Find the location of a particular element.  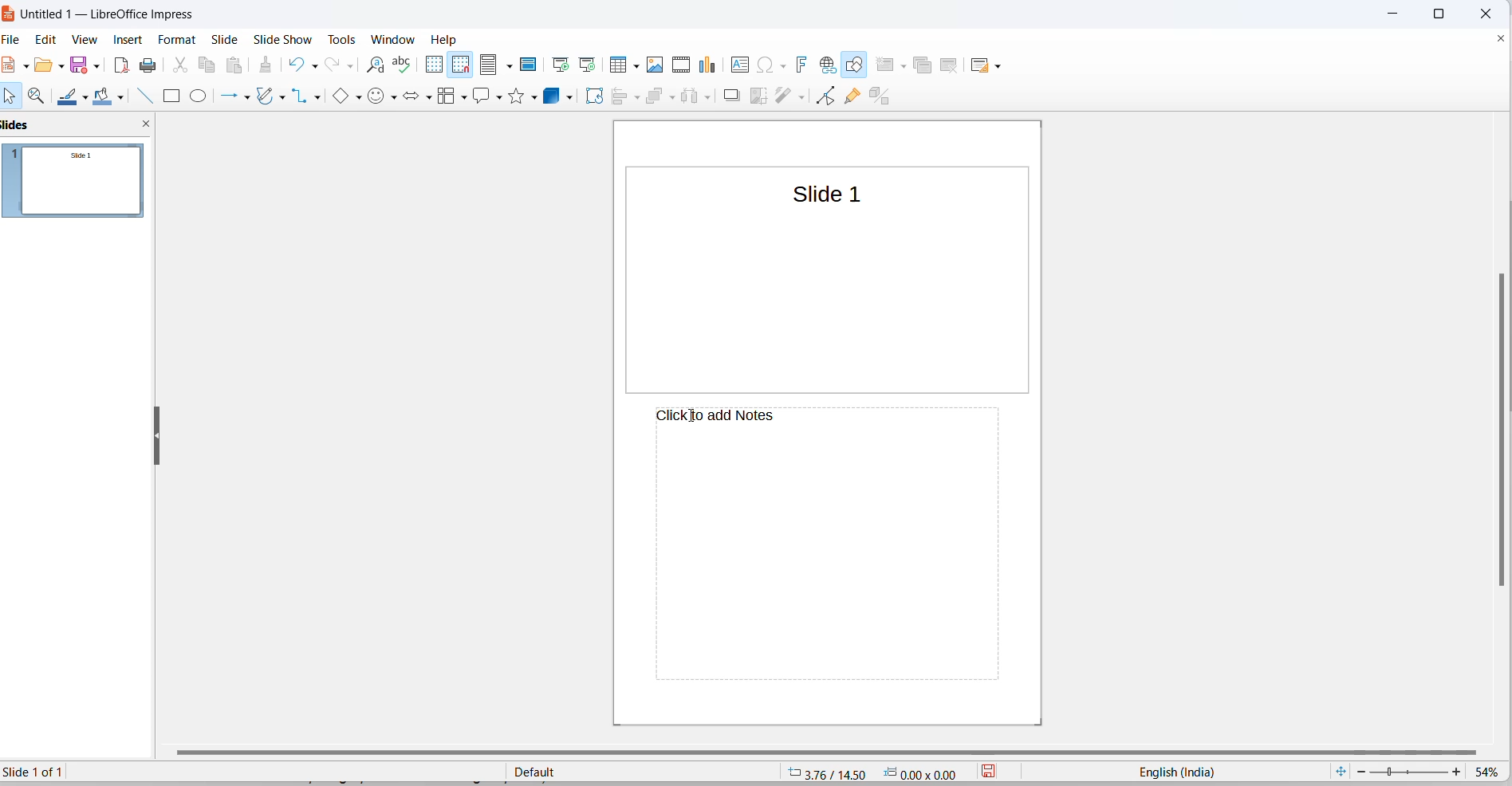

new file options is located at coordinates (25, 69).